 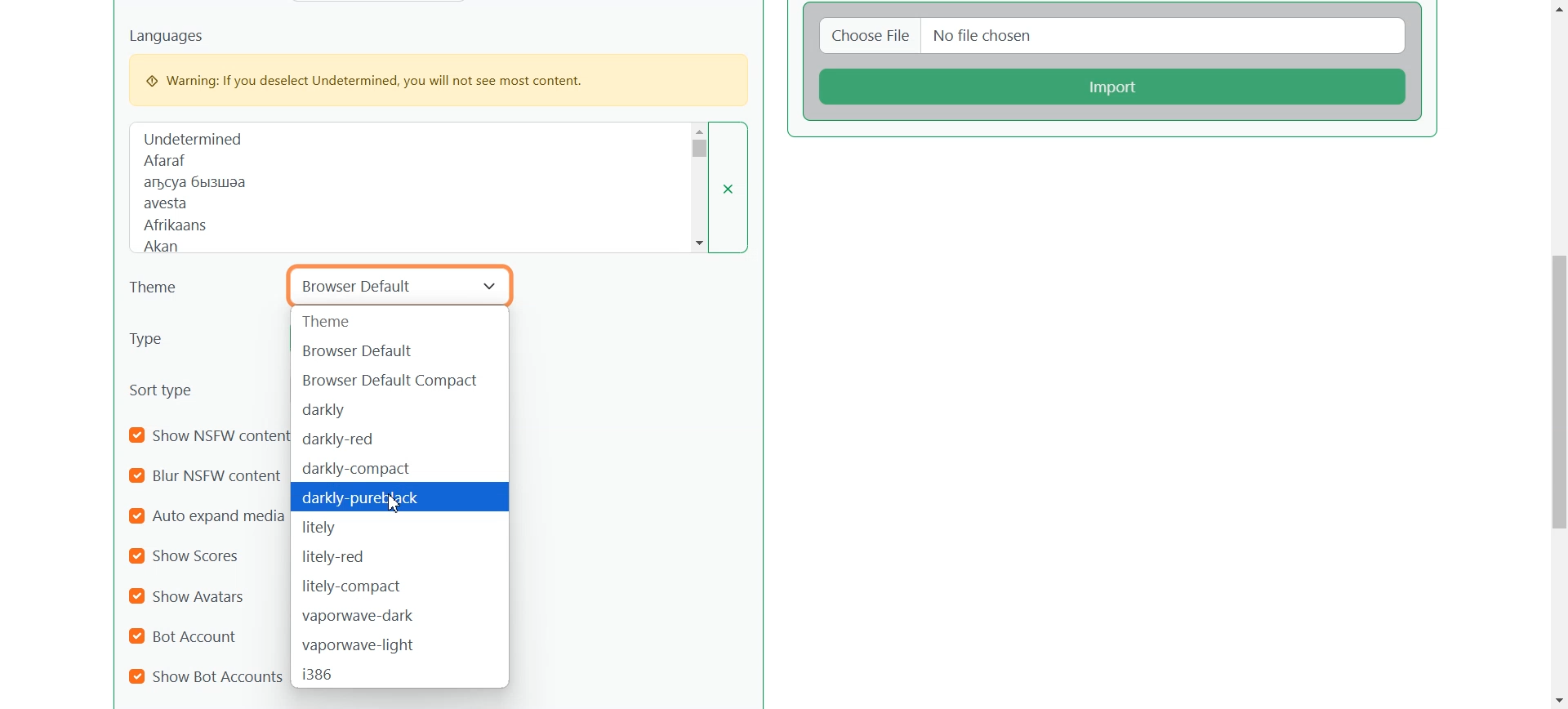 What do you see at coordinates (189, 596) in the screenshot?
I see `Show Avatars` at bounding box center [189, 596].